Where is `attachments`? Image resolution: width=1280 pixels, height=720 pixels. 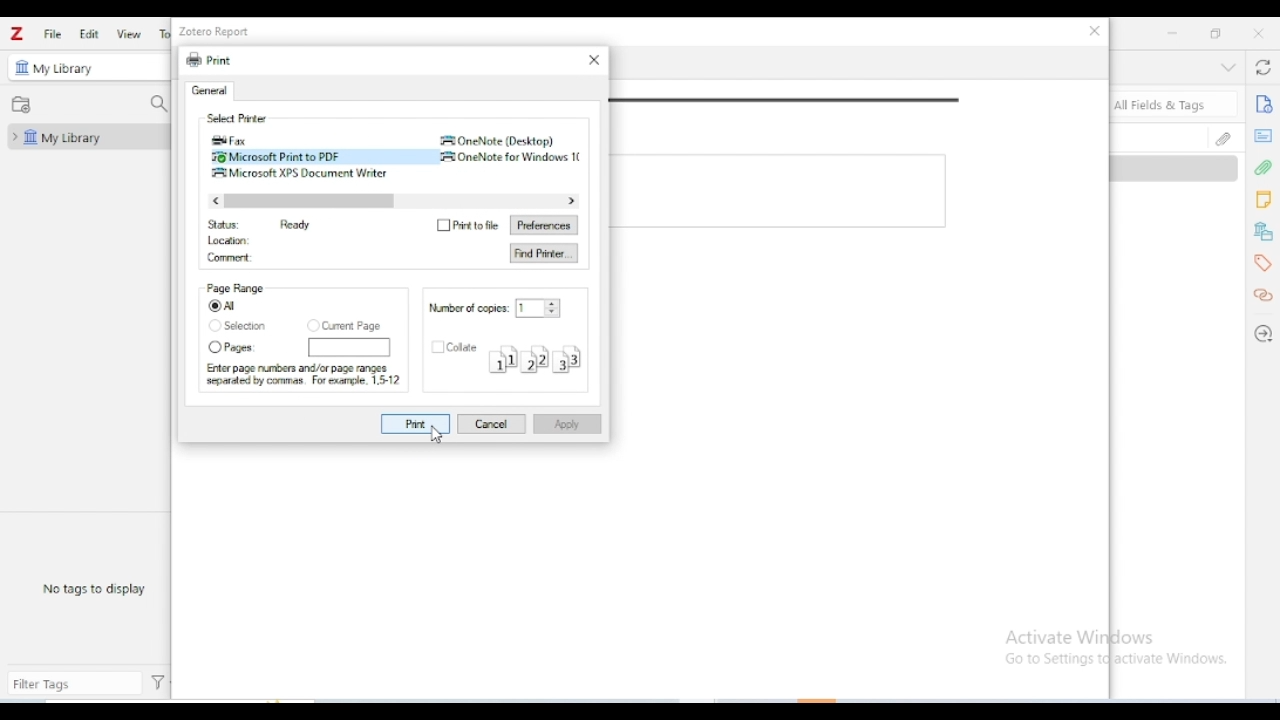 attachments is located at coordinates (1264, 169).